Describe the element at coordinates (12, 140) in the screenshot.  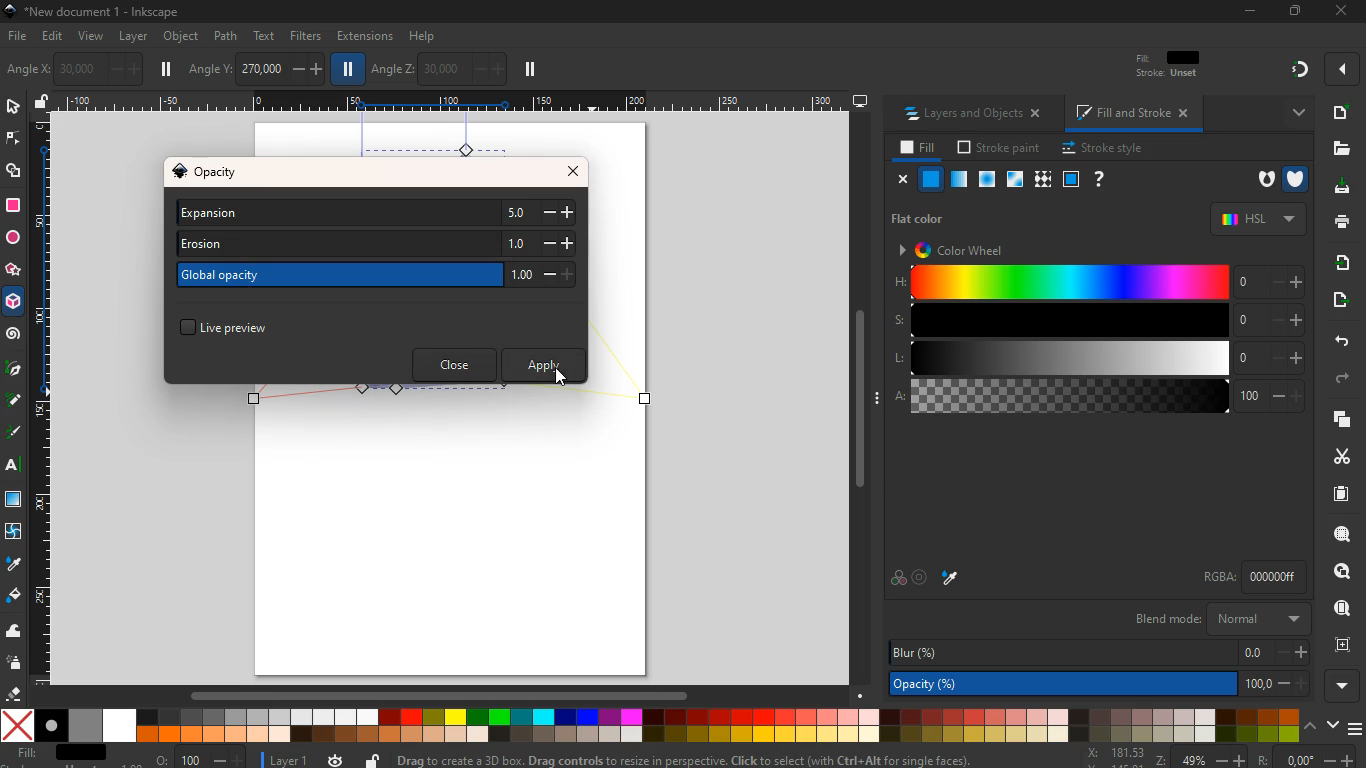
I see `edge` at that location.